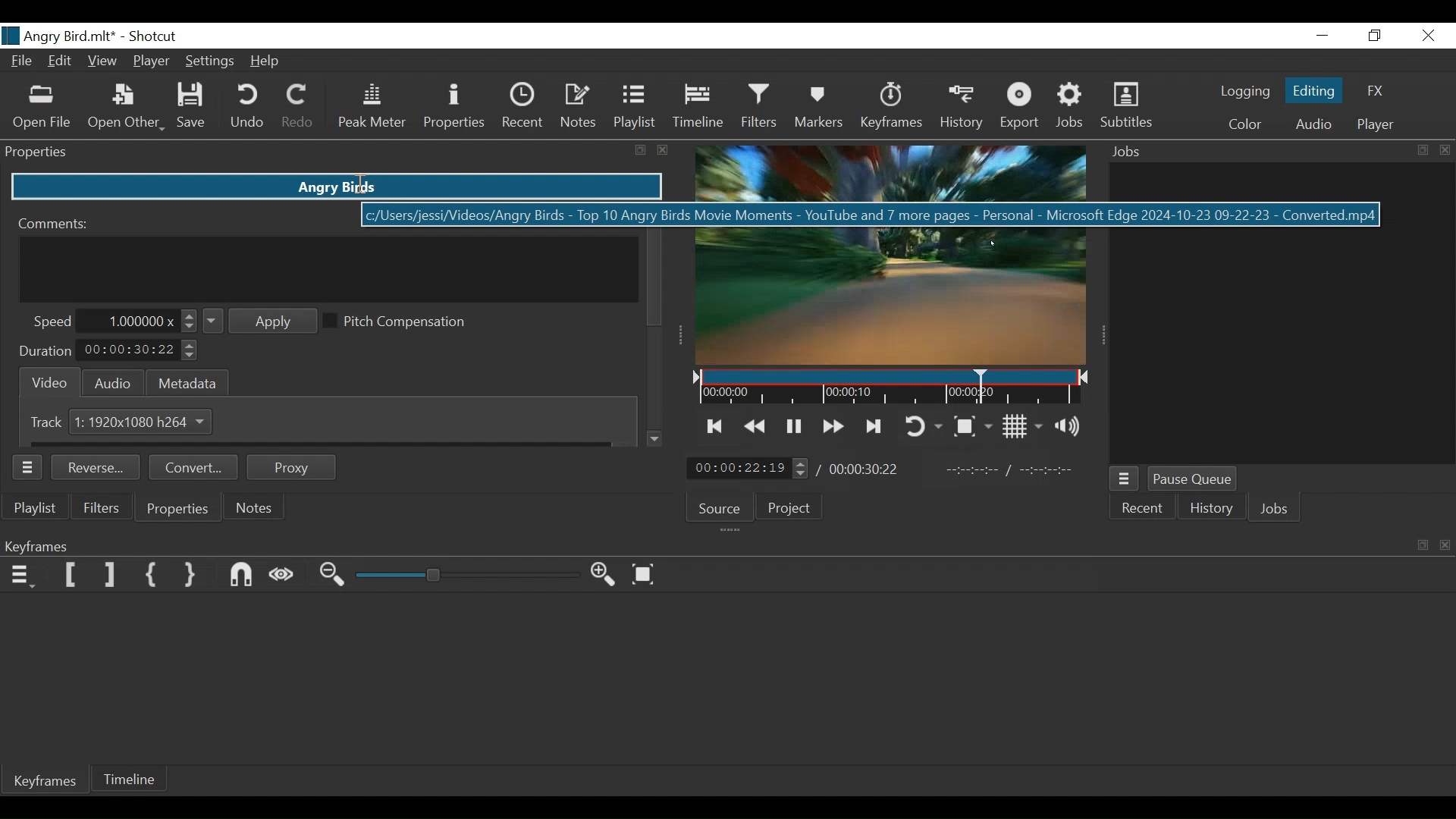  What do you see at coordinates (188, 381) in the screenshot?
I see `Metadata` at bounding box center [188, 381].